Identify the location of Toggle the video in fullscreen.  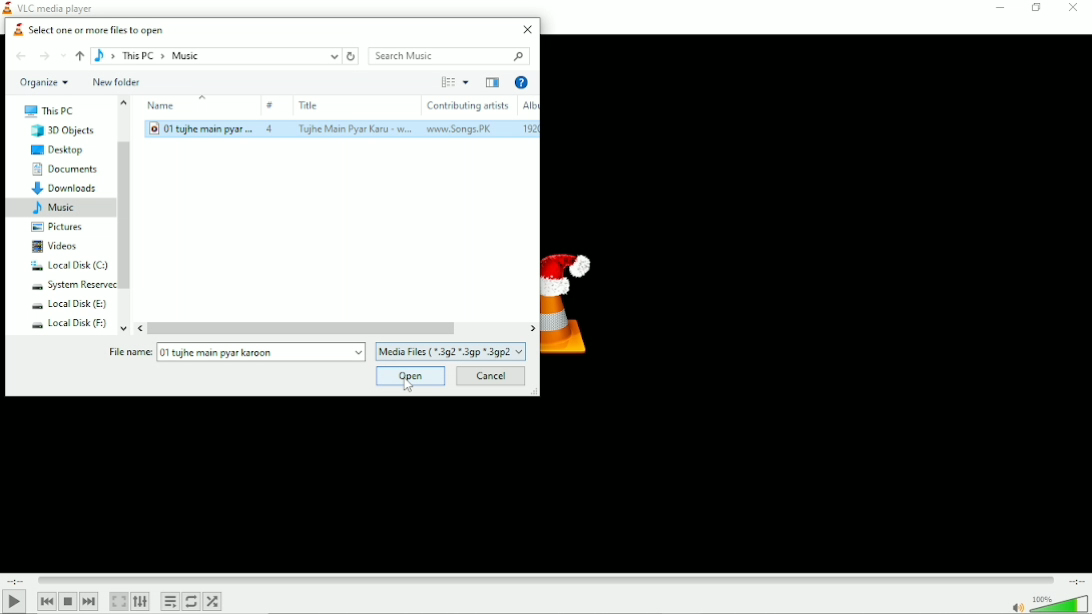
(118, 602).